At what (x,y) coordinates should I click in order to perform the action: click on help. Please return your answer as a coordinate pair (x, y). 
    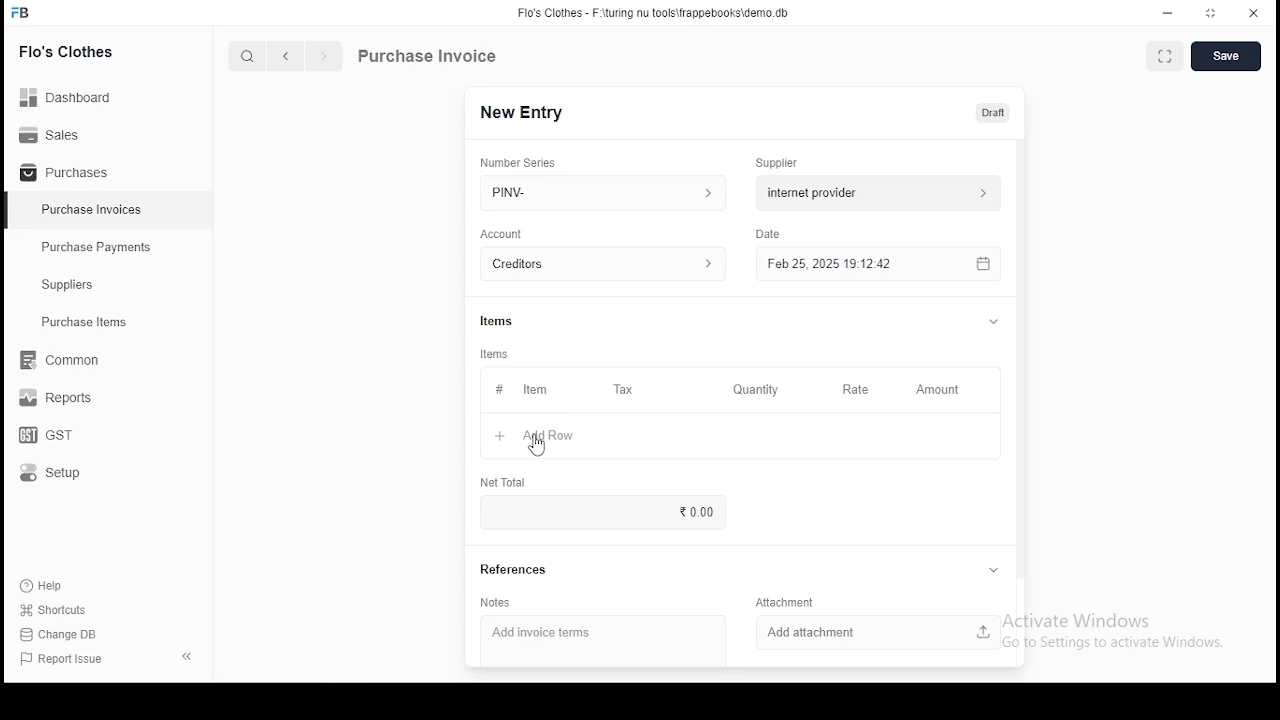
    Looking at the image, I should click on (46, 583).